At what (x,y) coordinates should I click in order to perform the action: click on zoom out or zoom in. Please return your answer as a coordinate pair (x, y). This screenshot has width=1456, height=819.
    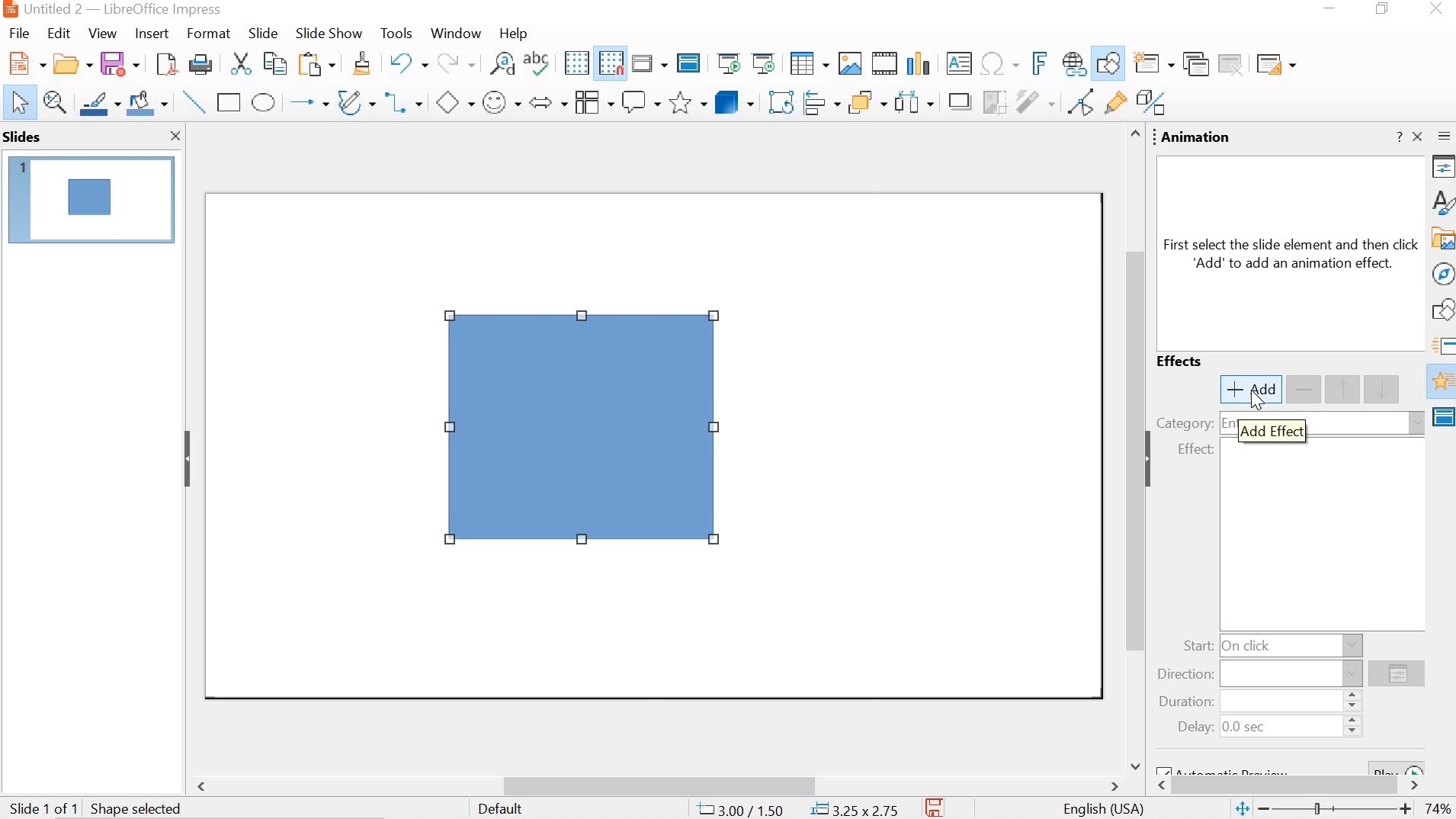
    Looking at the image, I should click on (1324, 809).